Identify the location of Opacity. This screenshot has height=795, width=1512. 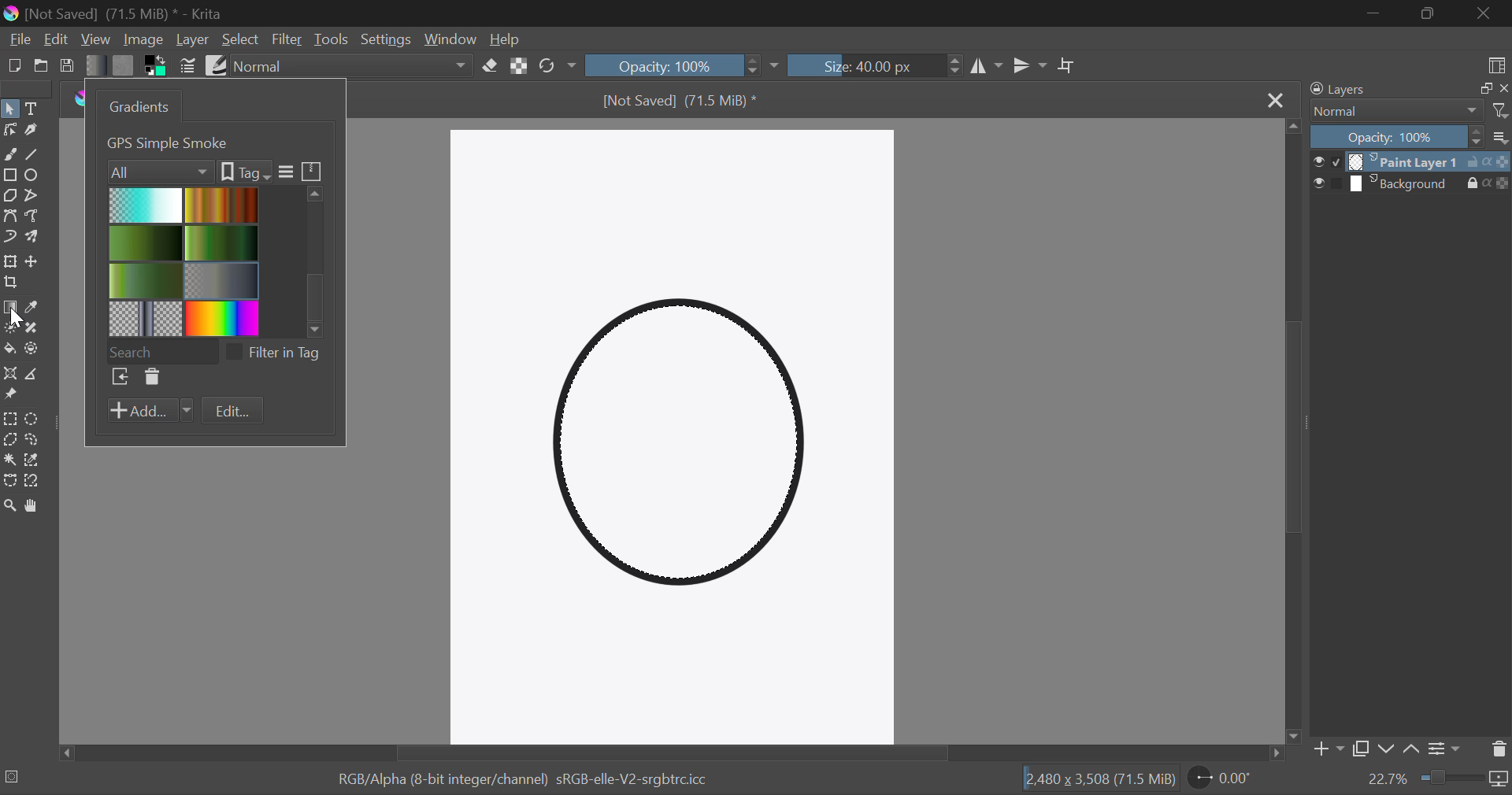
(1395, 138).